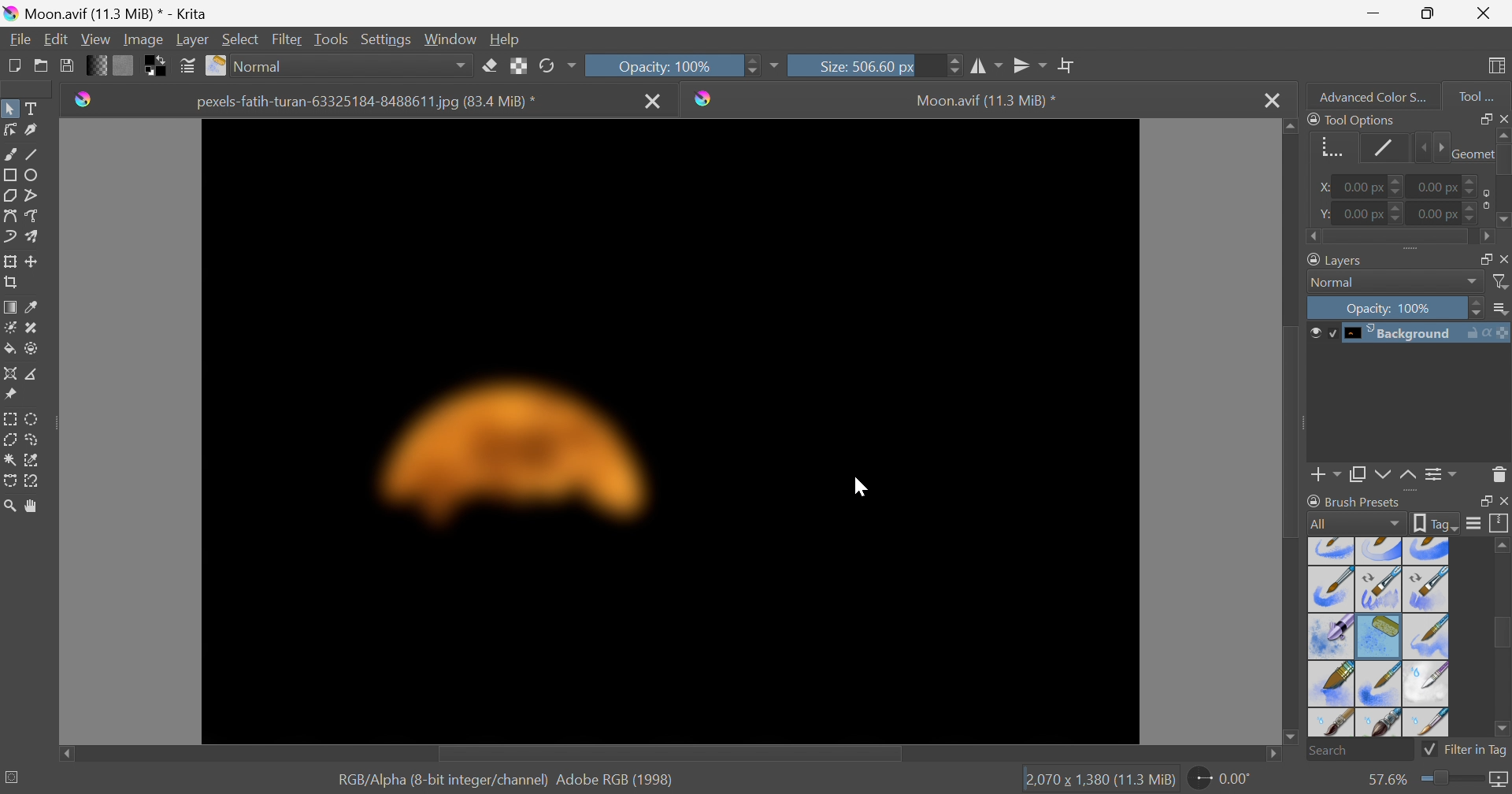 This screenshot has height=794, width=1512. What do you see at coordinates (1377, 13) in the screenshot?
I see `` at bounding box center [1377, 13].